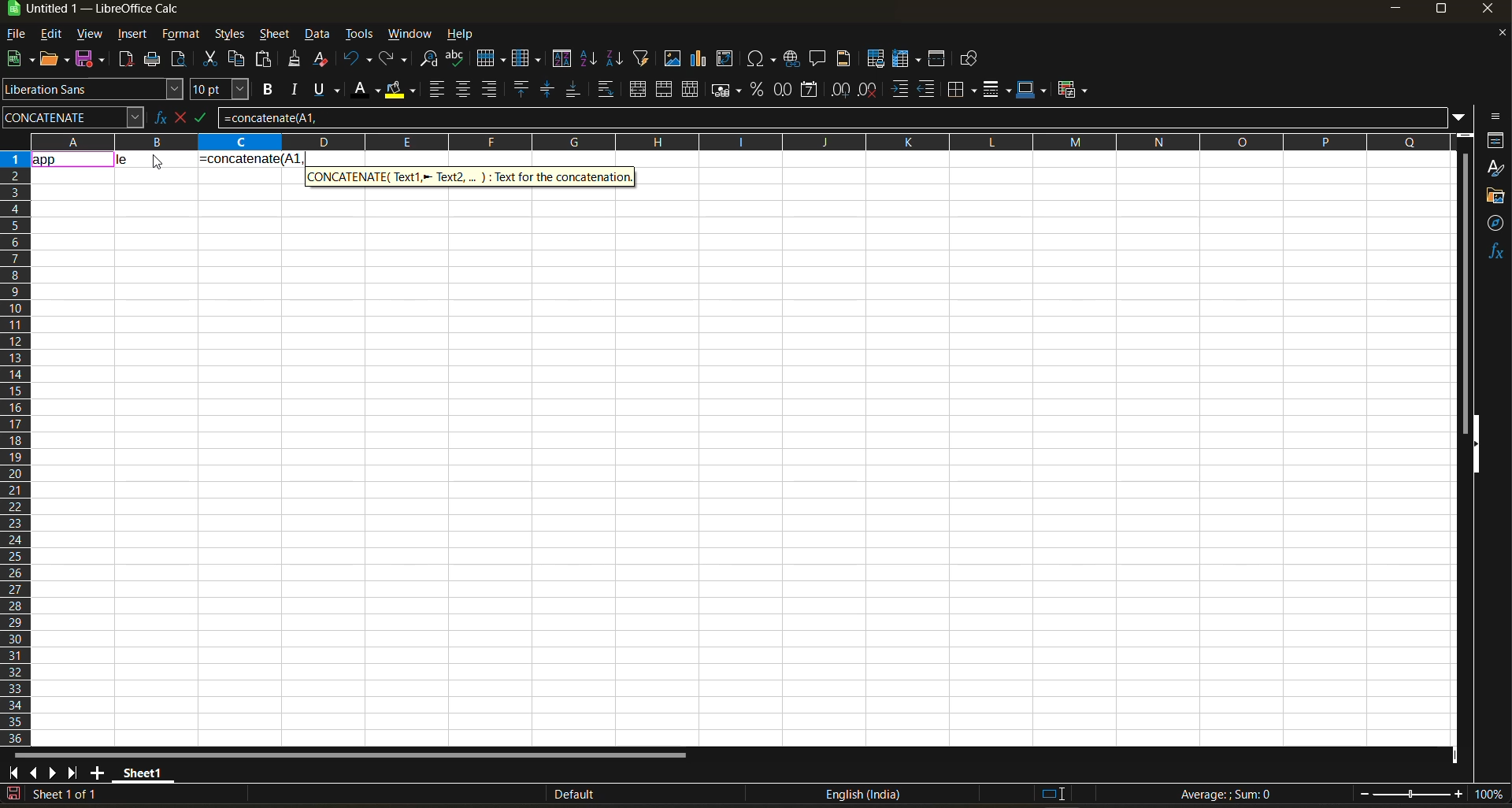  What do you see at coordinates (89, 35) in the screenshot?
I see `view` at bounding box center [89, 35].